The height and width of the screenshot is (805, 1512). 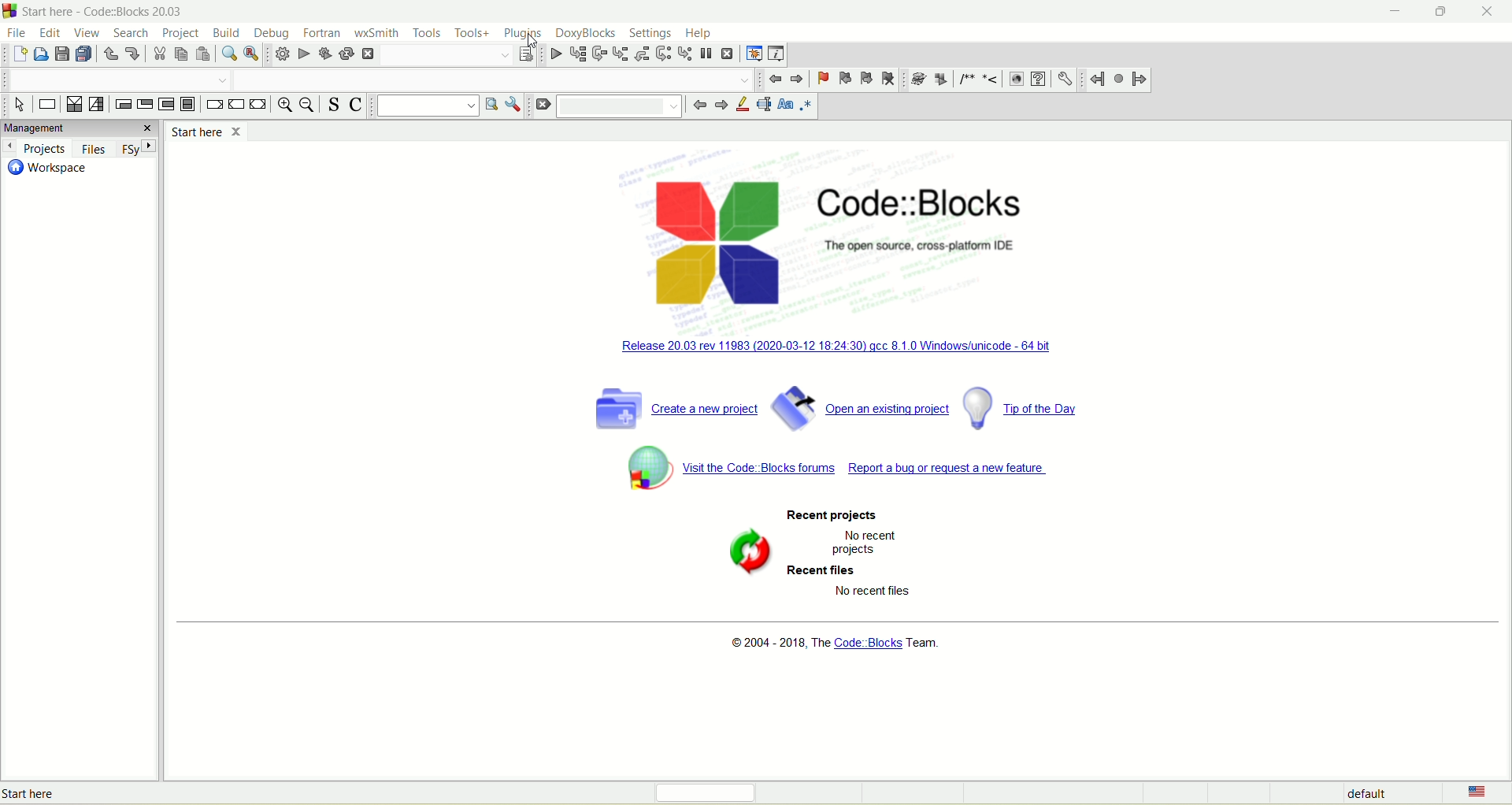 I want to click on block instructions, so click(x=188, y=104).